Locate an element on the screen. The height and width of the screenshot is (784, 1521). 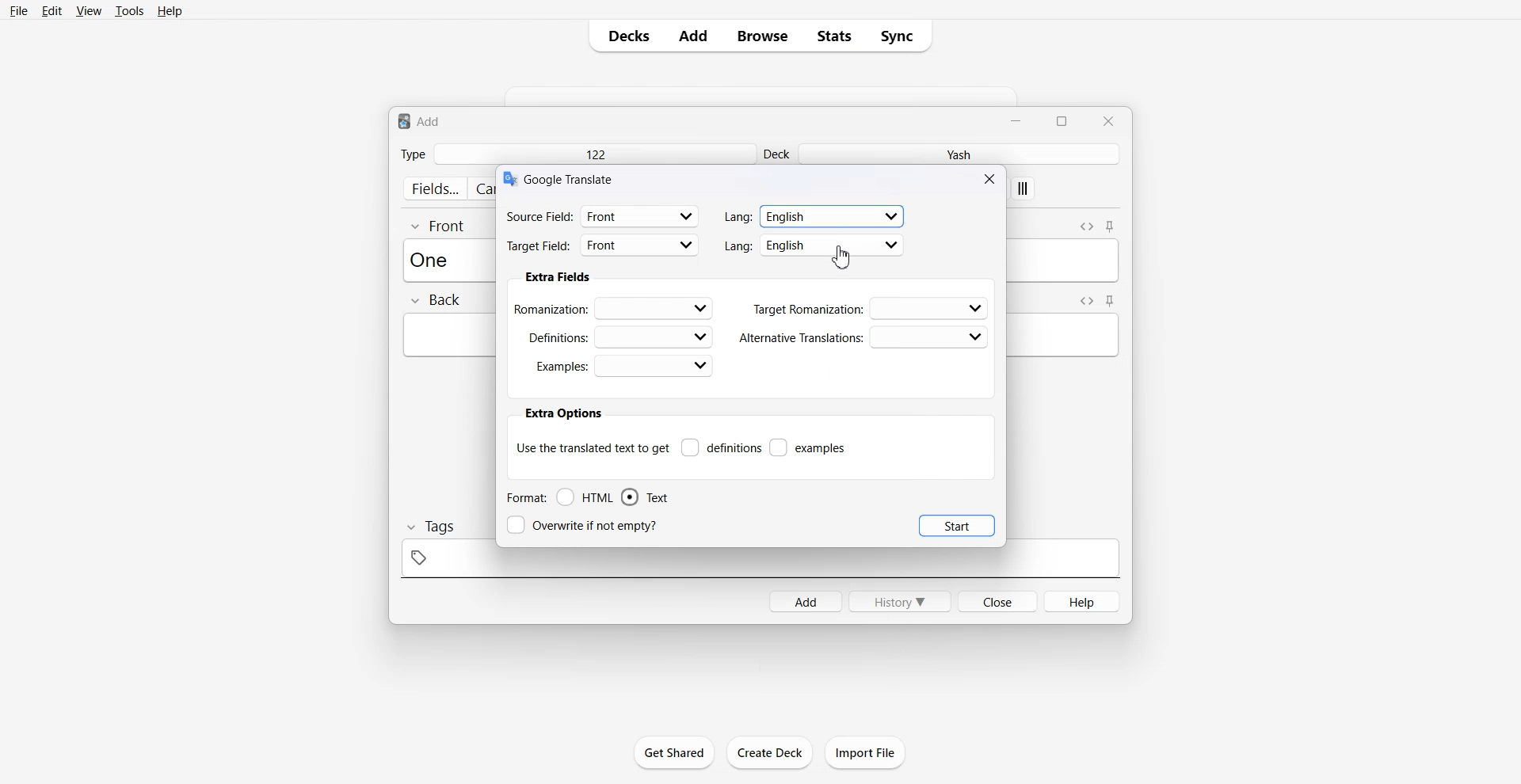
Import File is located at coordinates (866, 752).